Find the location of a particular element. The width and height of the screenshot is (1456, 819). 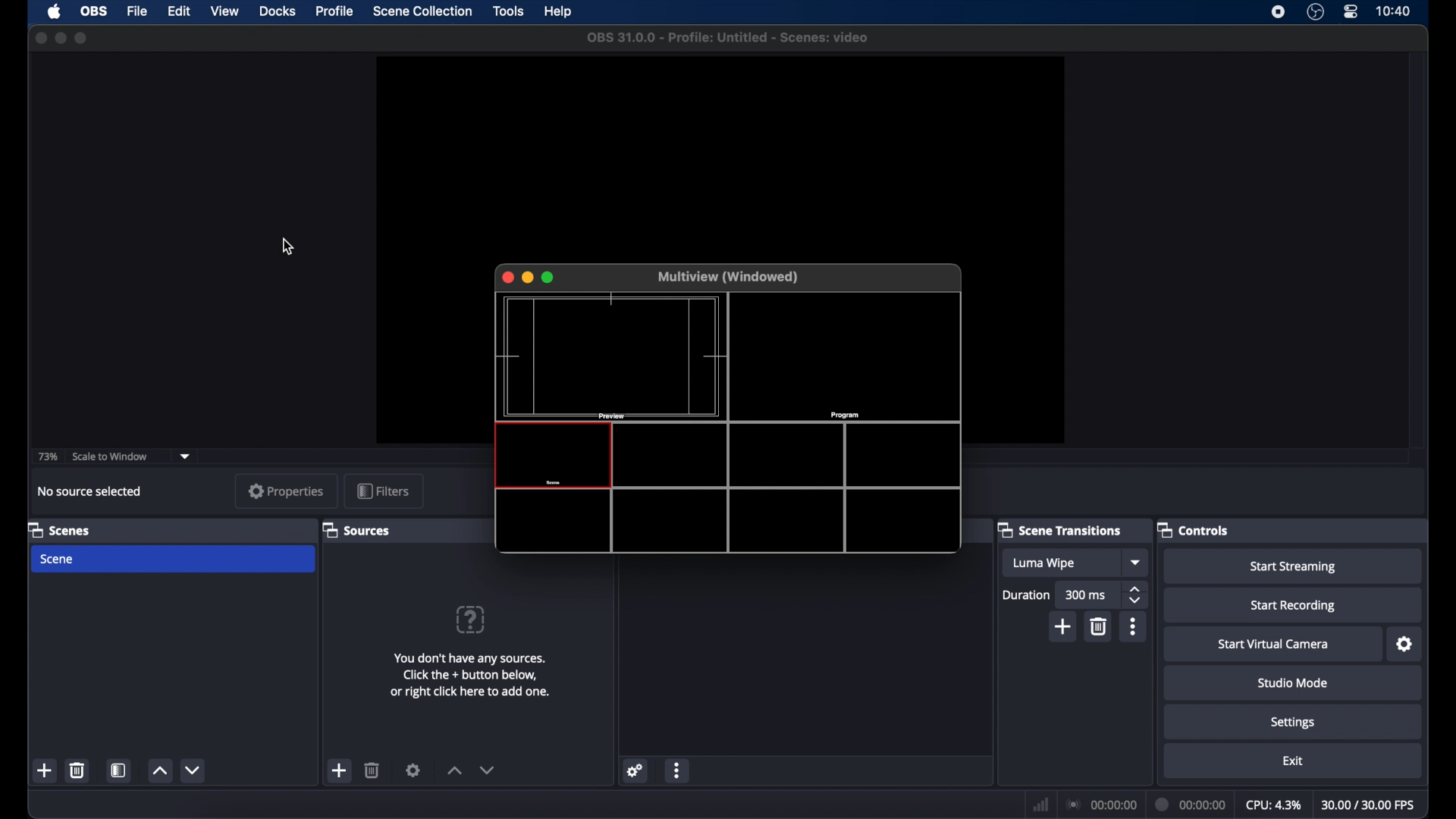

settings is located at coordinates (636, 770).